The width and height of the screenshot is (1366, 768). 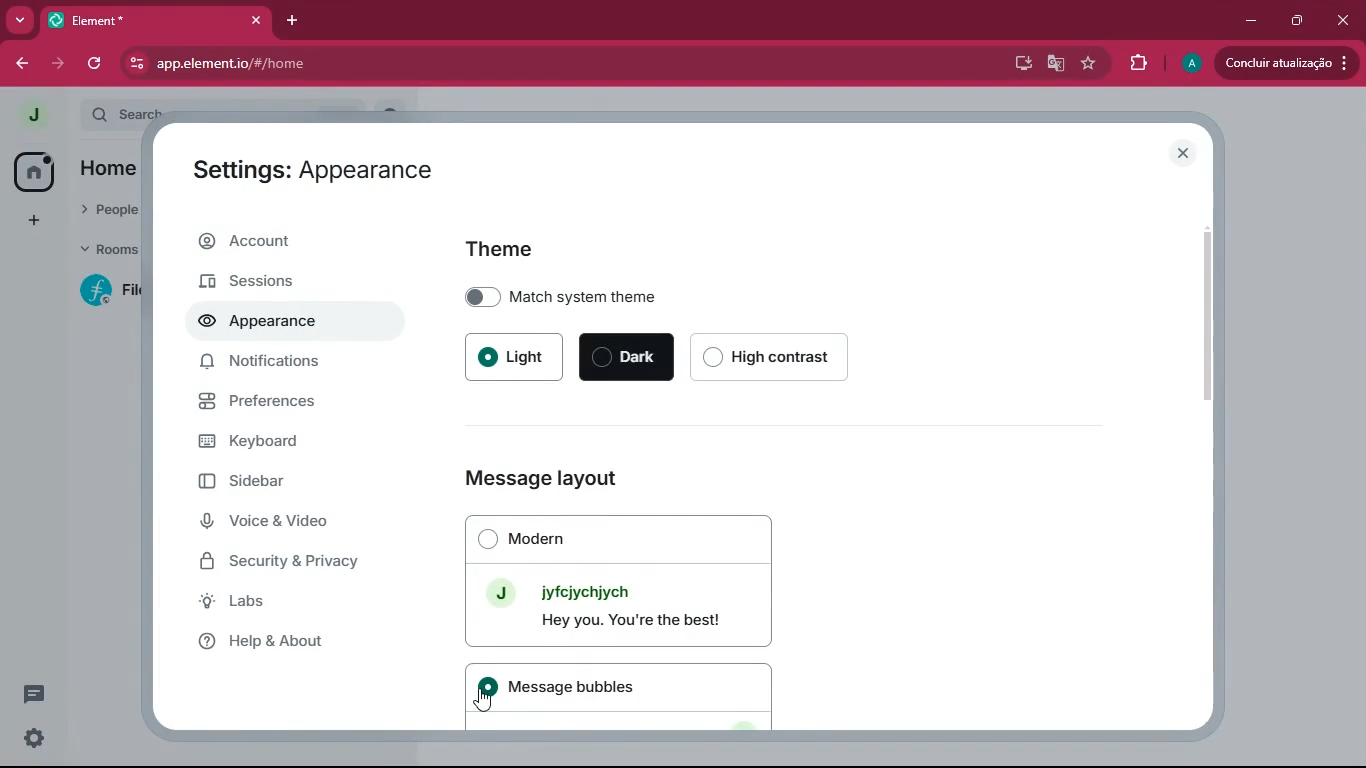 What do you see at coordinates (1190, 64) in the screenshot?
I see `profile` at bounding box center [1190, 64].